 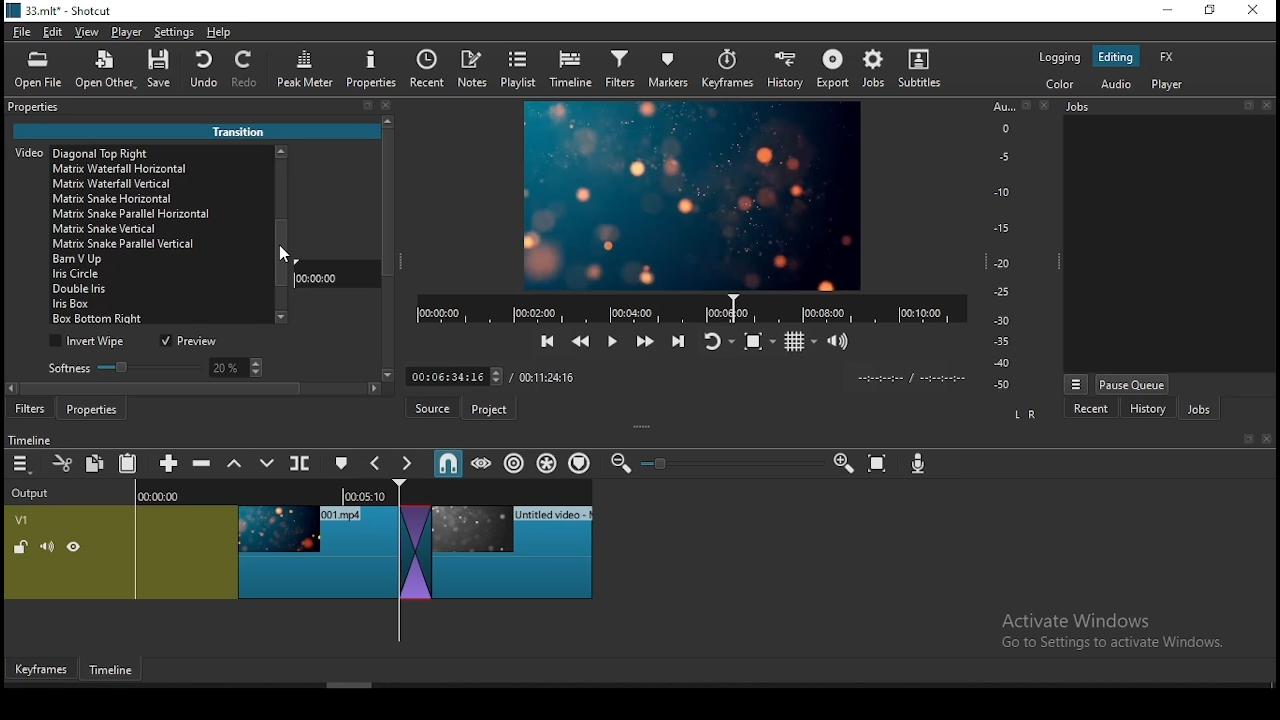 I want to click on softness, so click(x=152, y=367).